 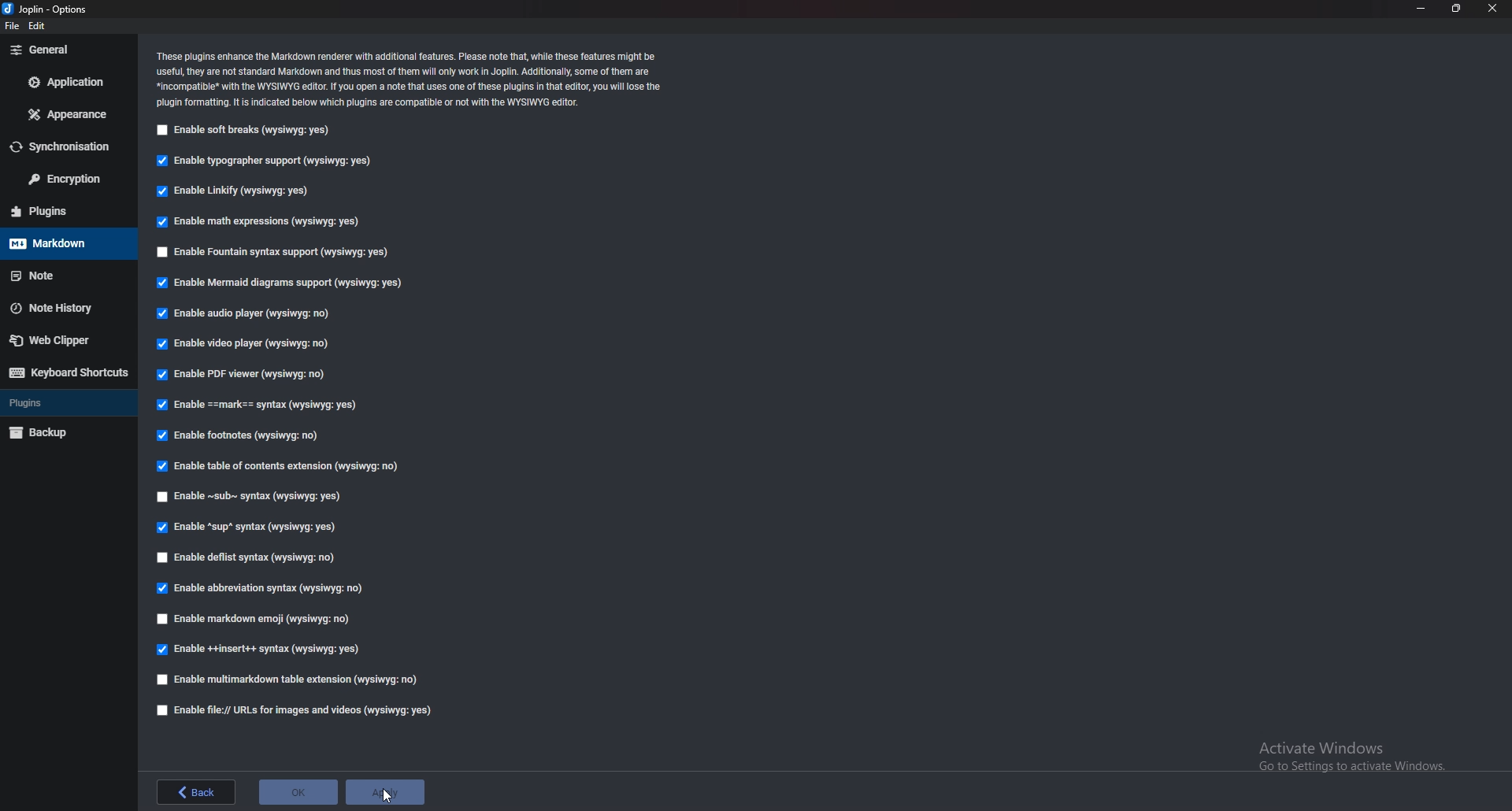 I want to click on enable Sup syntax, so click(x=244, y=526).